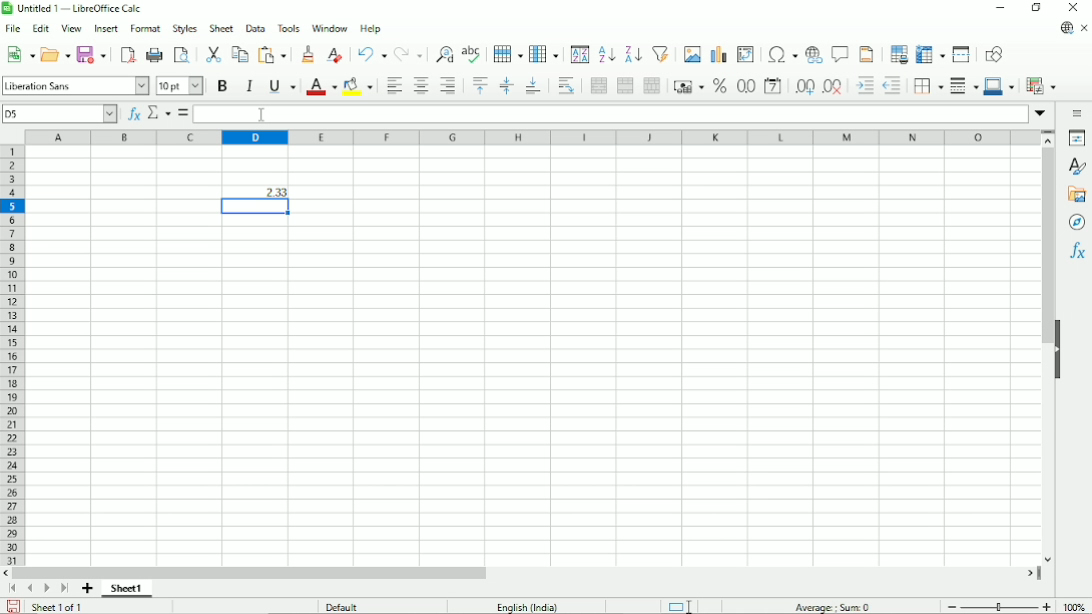  What do you see at coordinates (393, 86) in the screenshot?
I see `Align left` at bounding box center [393, 86].